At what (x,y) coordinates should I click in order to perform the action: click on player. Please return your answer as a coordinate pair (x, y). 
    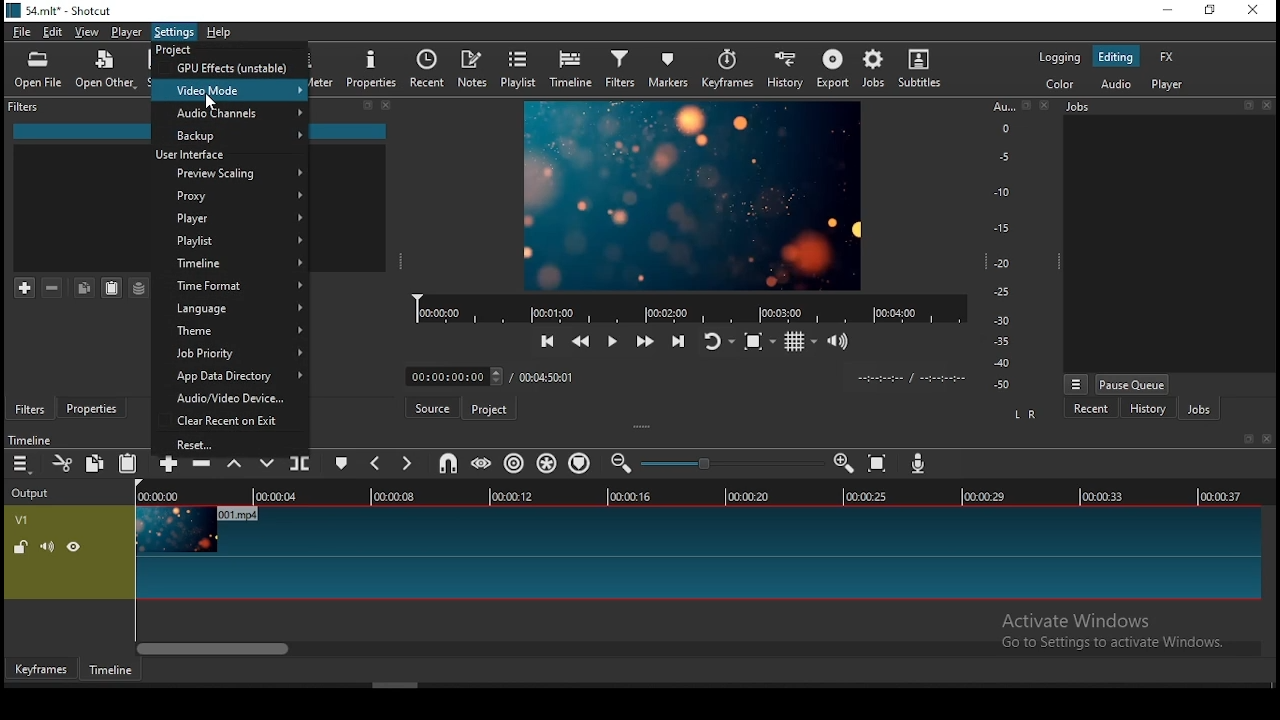
    Looking at the image, I should click on (228, 220).